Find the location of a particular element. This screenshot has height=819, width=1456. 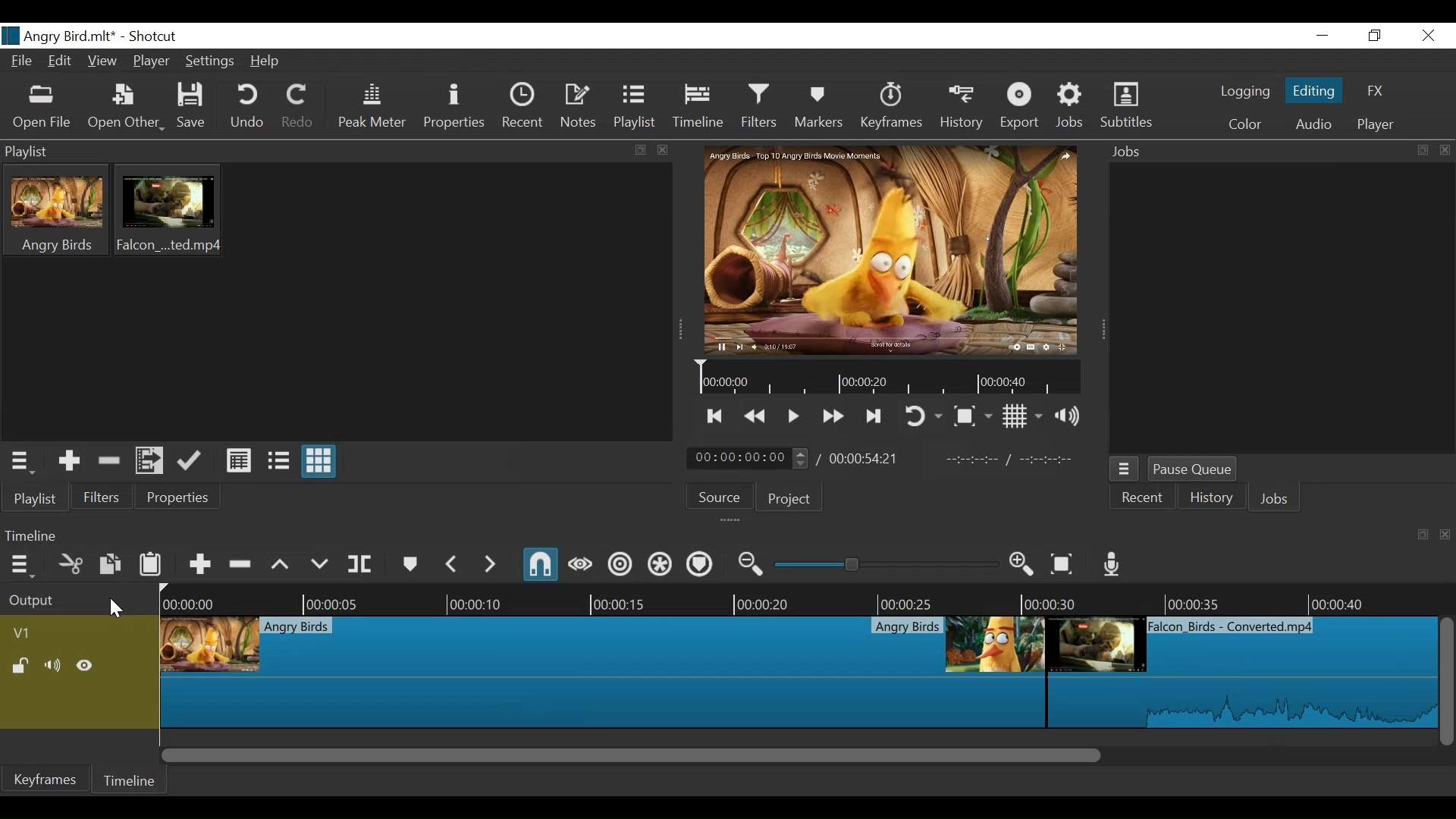

Jobs Panel is located at coordinates (1278, 152).